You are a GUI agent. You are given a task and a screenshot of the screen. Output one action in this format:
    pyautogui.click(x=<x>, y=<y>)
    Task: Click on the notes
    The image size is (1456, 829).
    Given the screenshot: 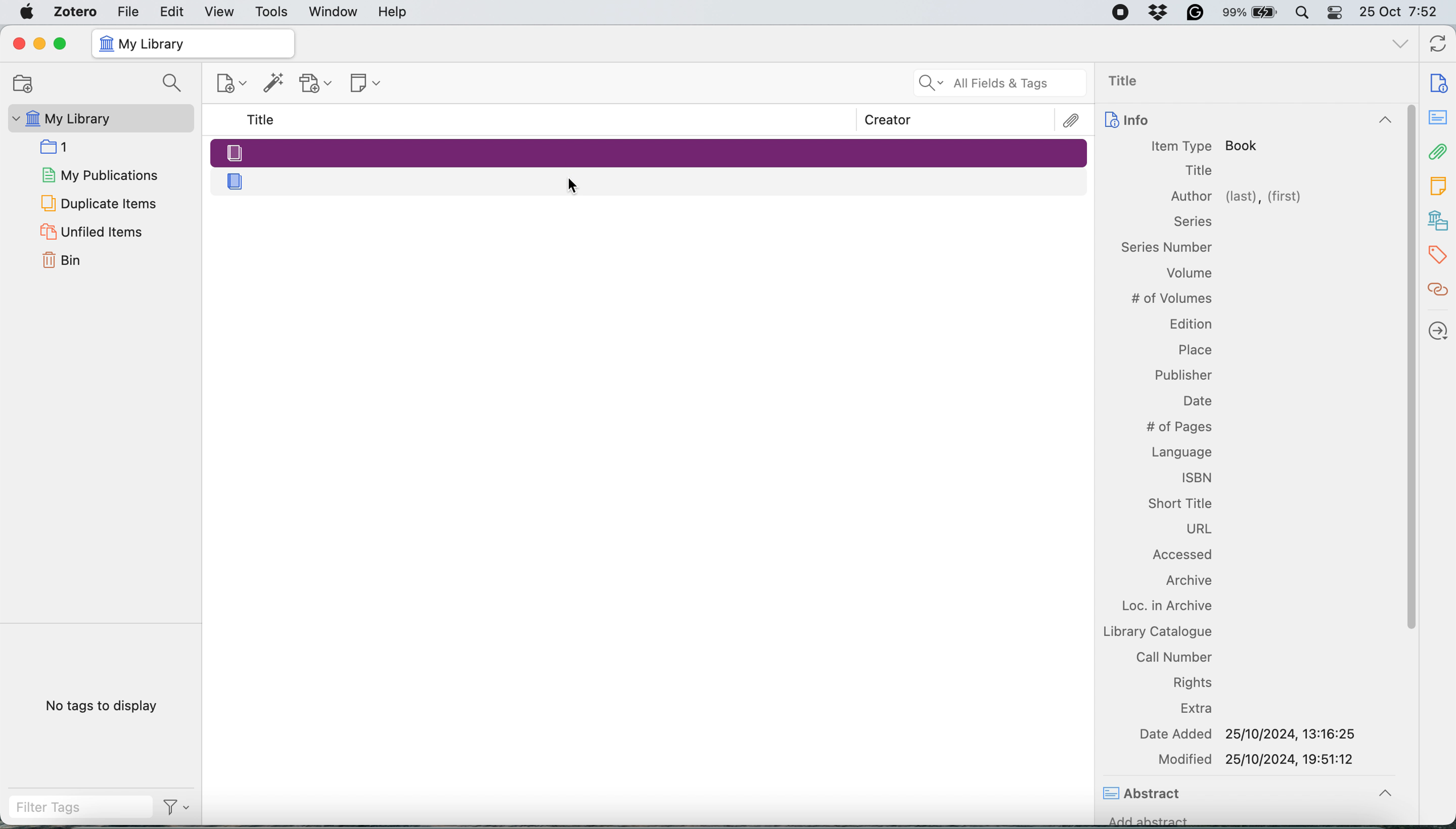 What is the action you would take?
    pyautogui.click(x=1439, y=118)
    